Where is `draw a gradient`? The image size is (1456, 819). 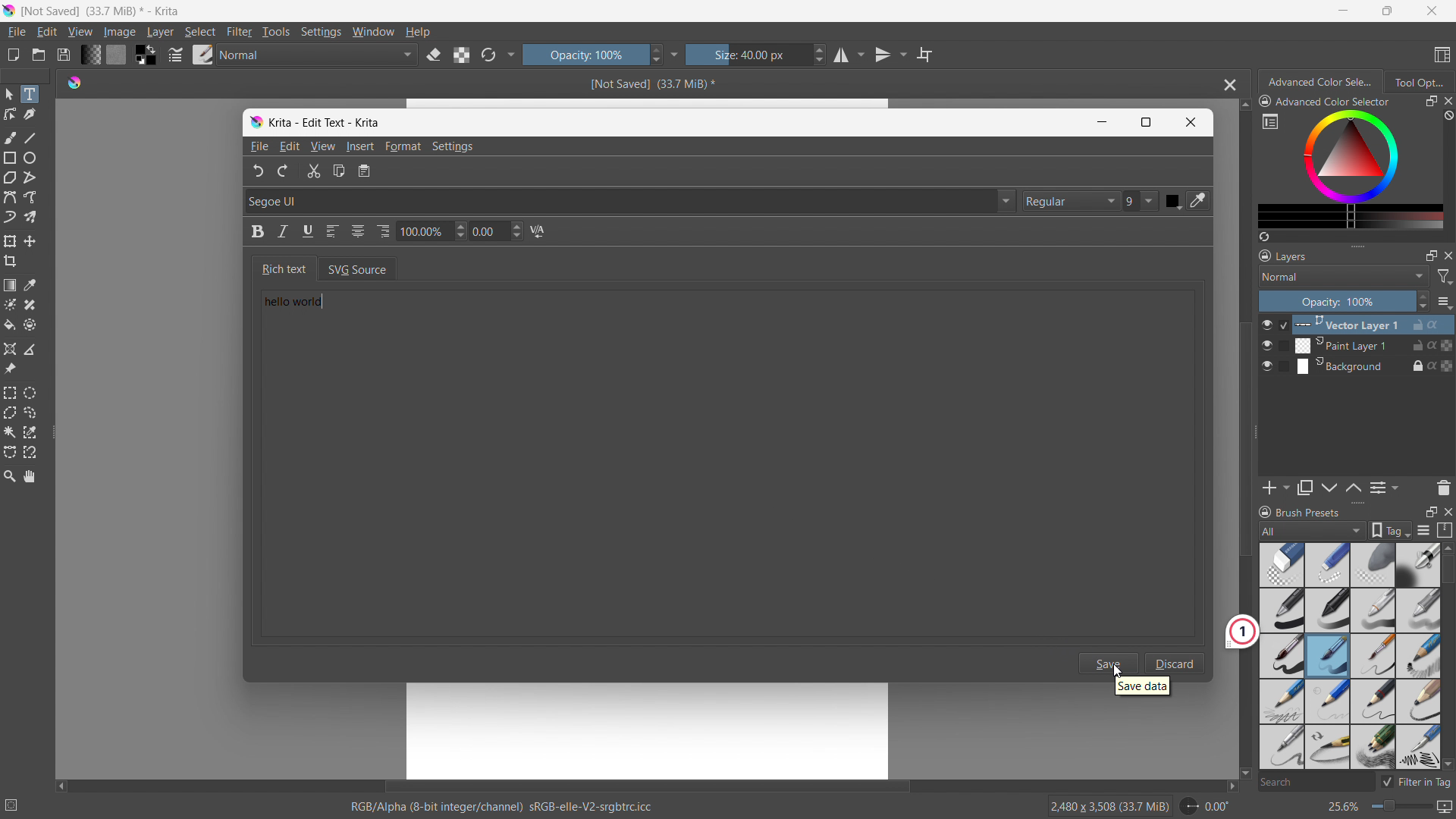
draw a gradient is located at coordinates (10, 285).